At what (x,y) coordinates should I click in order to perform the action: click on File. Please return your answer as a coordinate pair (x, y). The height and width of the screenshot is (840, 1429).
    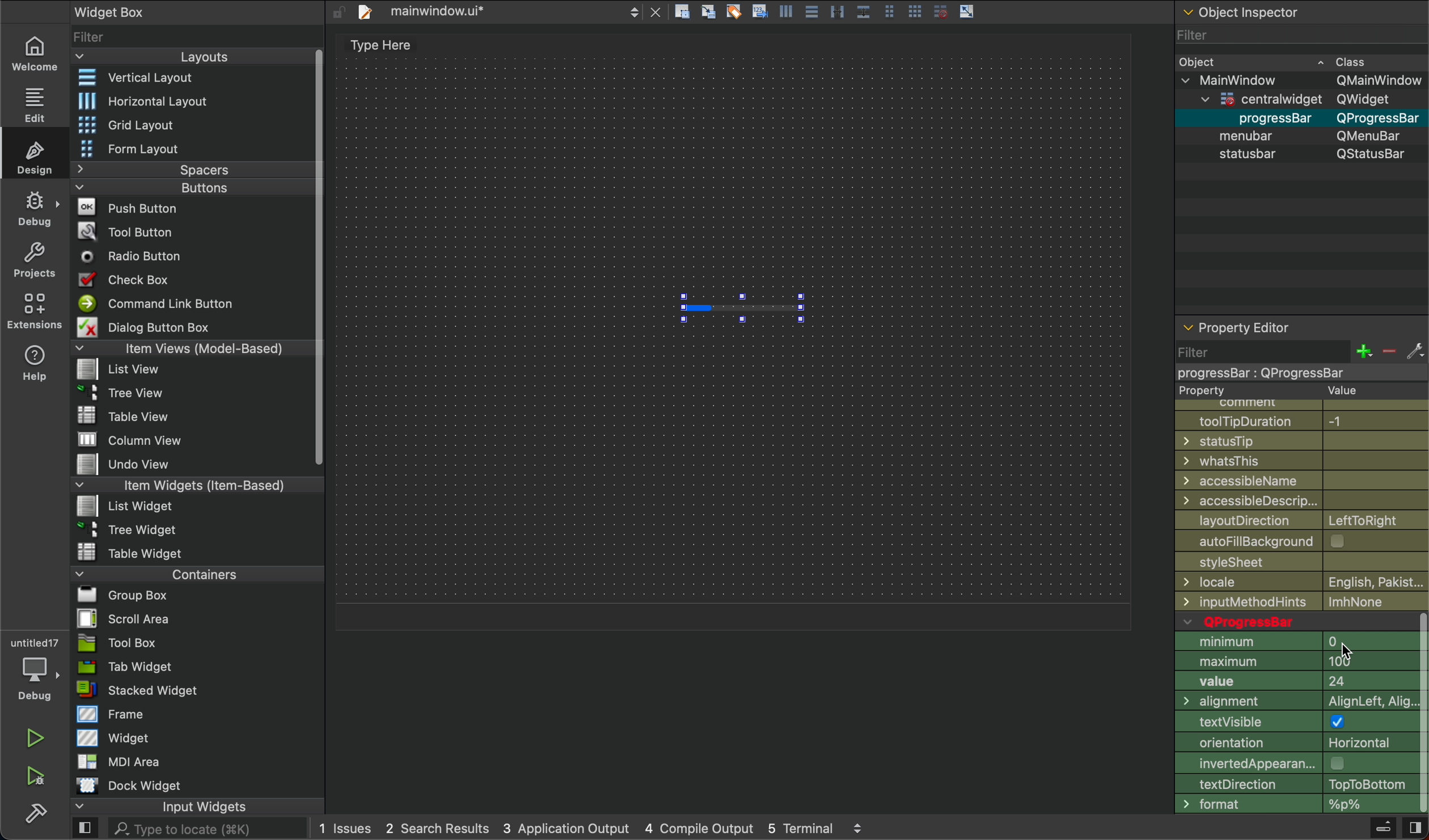
    Looking at the image, I should click on (116, 595).